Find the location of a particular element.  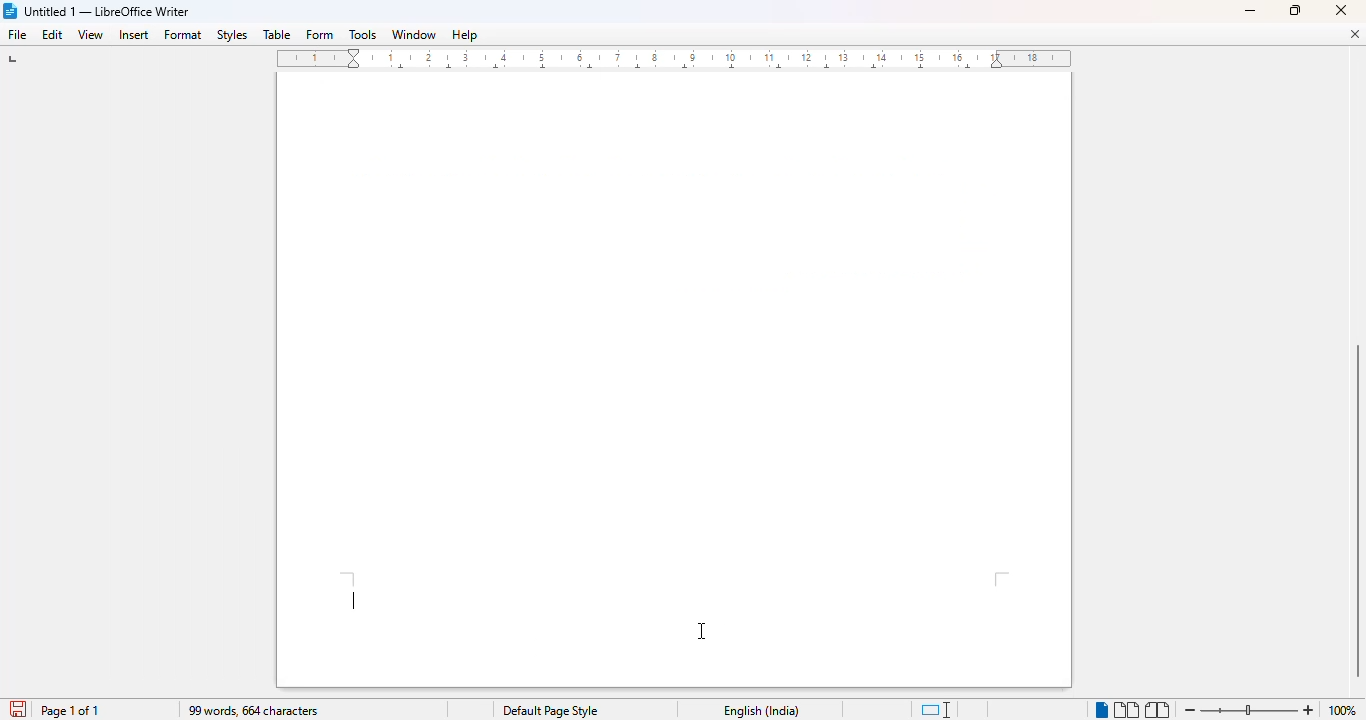

English (India) is located at coordinates (762, 711).